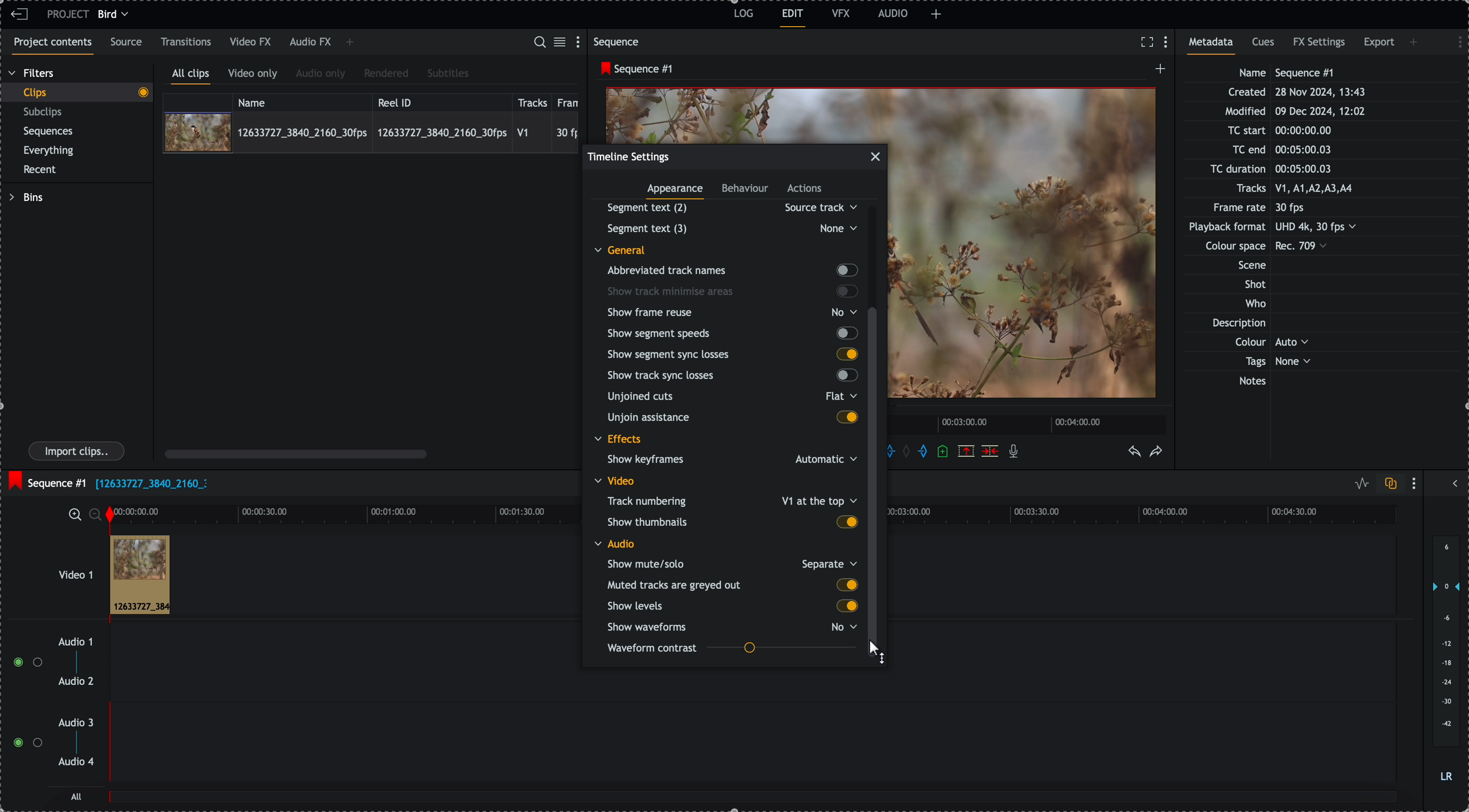  I want to click on source, so click(128, 43).